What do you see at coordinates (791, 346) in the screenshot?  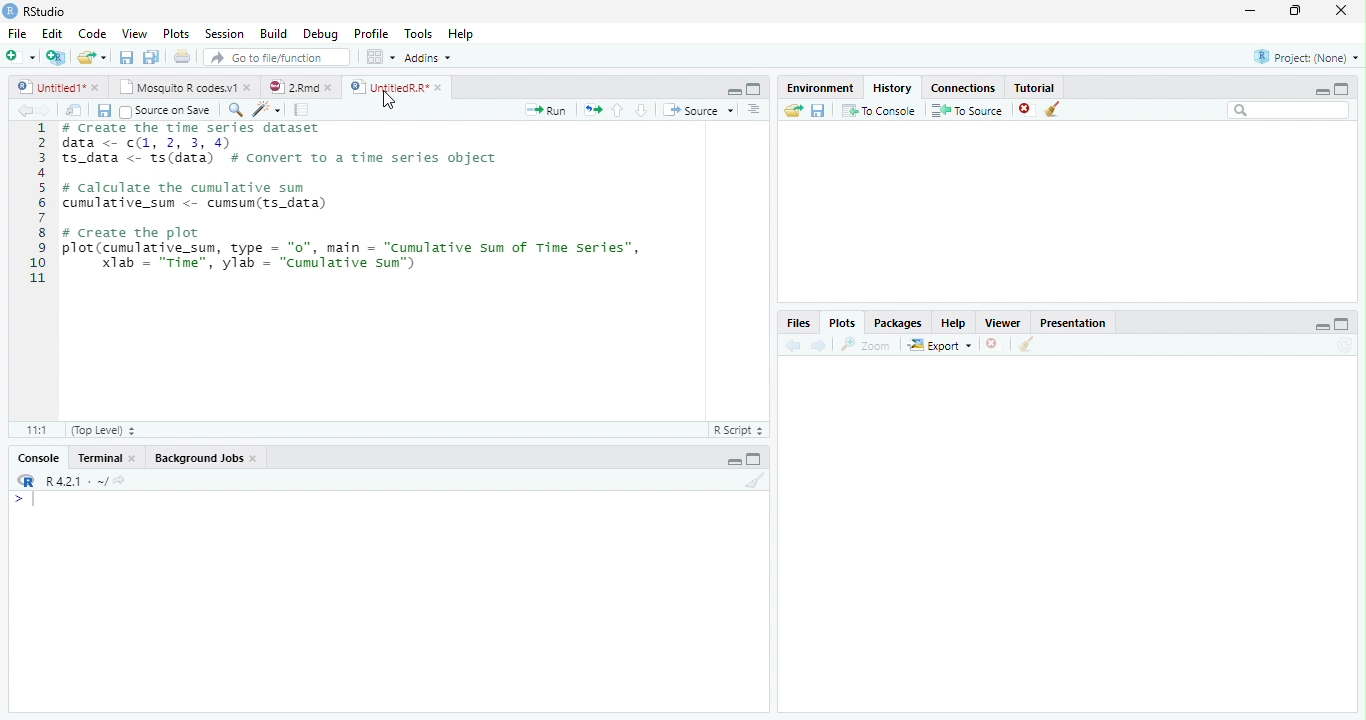 I see `Back` at bounding box center [791, 346].